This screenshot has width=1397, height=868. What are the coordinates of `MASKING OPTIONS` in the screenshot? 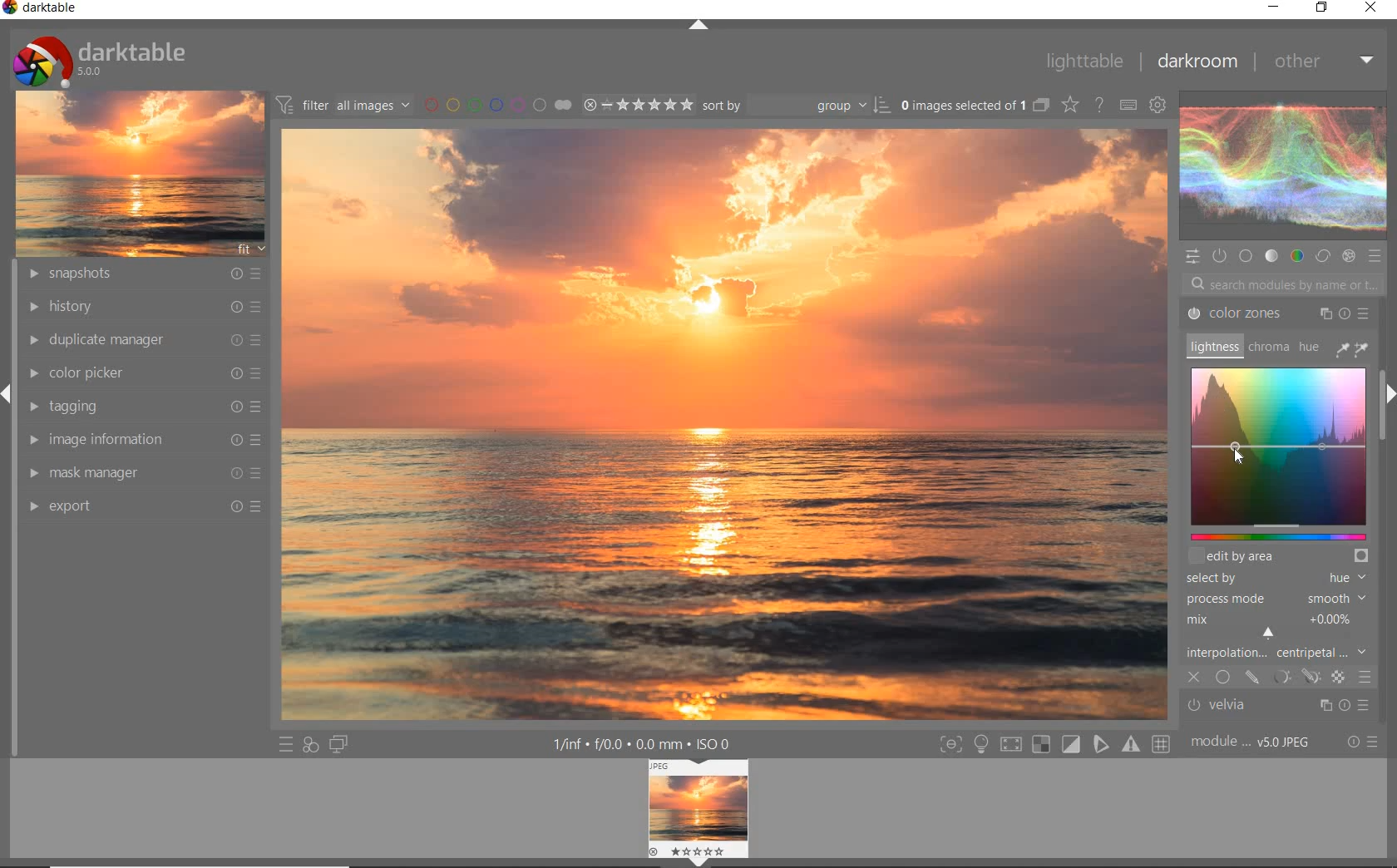 It's located at (1293, 676).